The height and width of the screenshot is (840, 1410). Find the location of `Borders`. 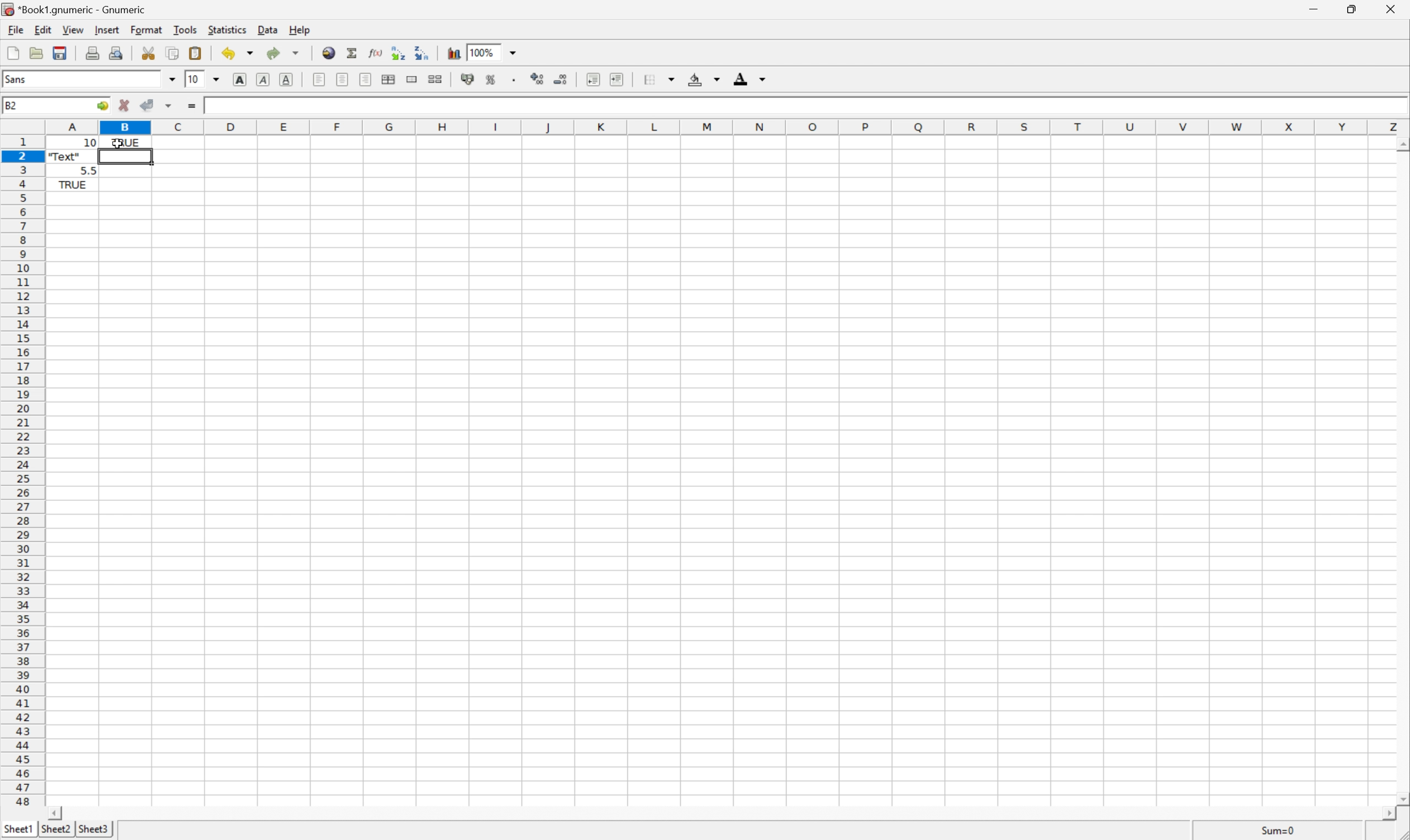

Borders is located at coordinates (659, 79).